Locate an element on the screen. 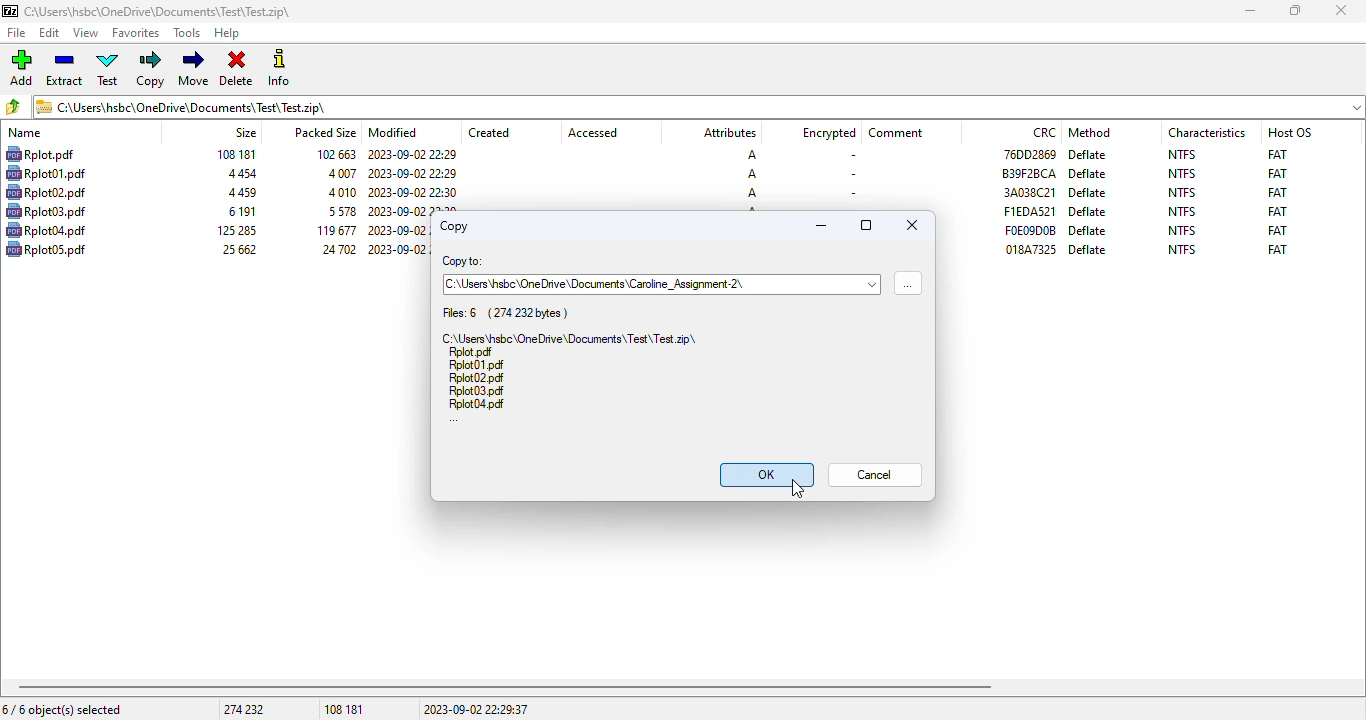 This screenshot has width=1366, height=720. - is located at coordinates (852, 174).